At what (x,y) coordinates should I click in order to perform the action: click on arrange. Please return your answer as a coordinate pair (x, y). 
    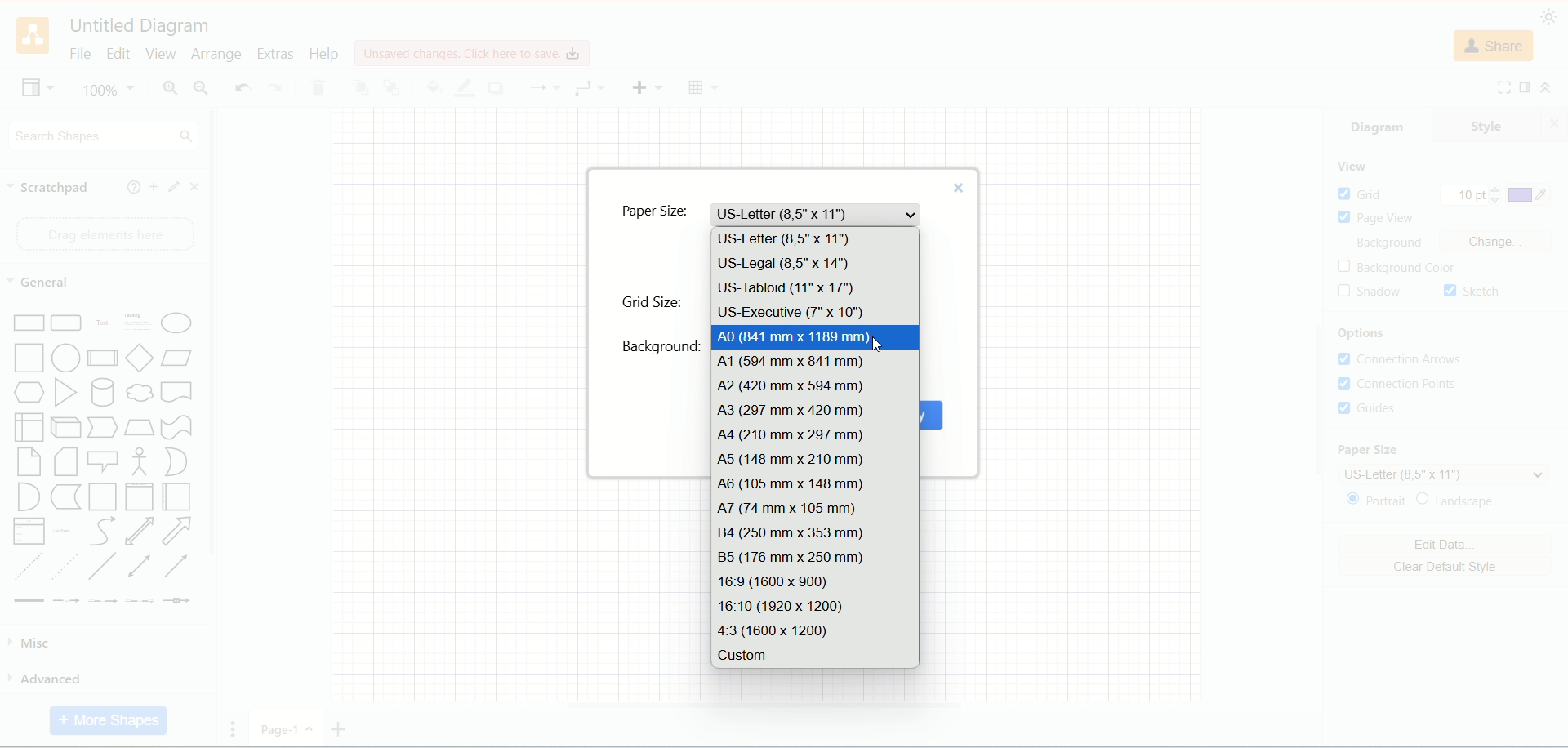
    Looking at the image, I should click on (216, 55).